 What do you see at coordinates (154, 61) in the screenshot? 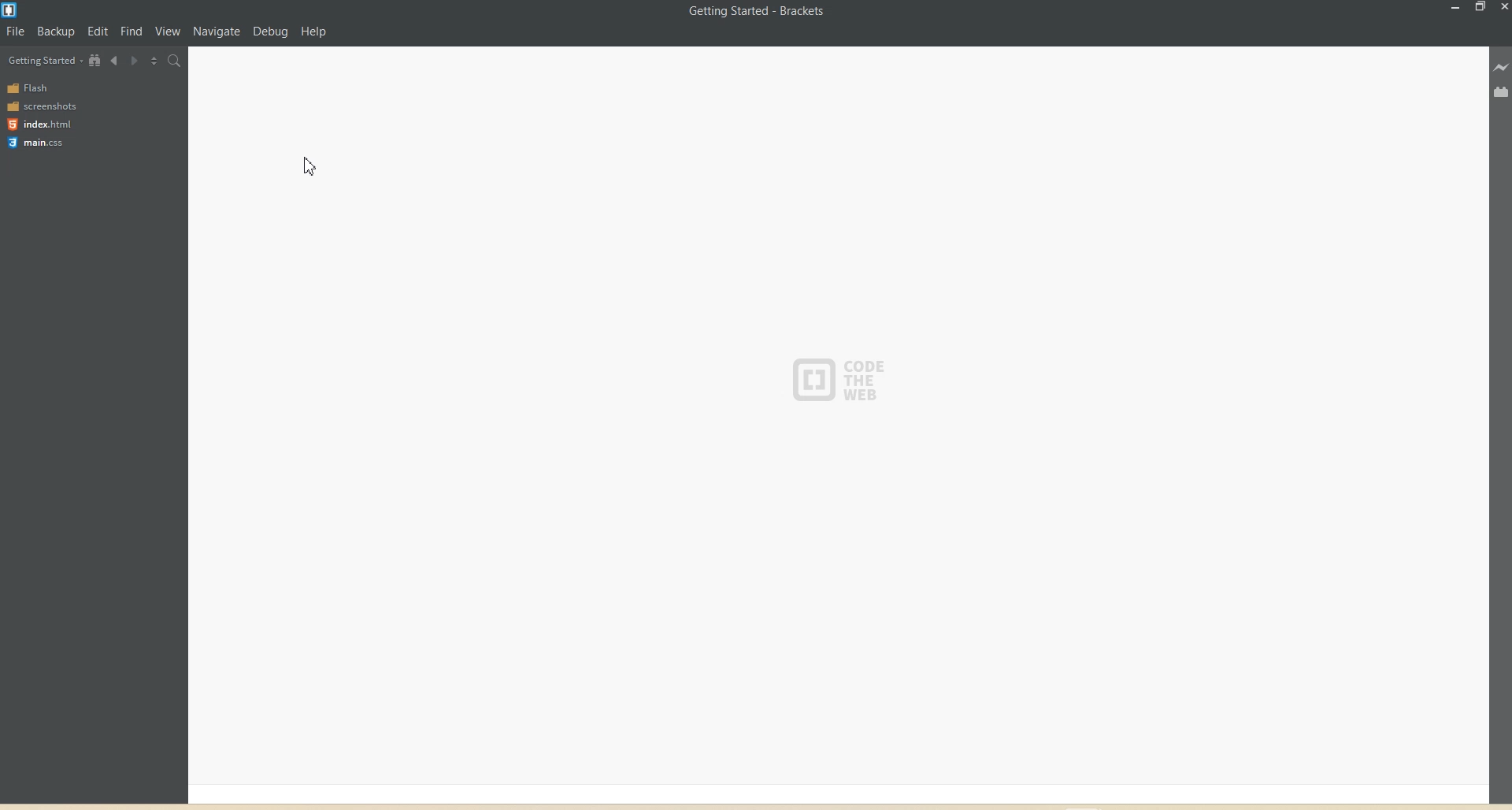
I see `Split The Editor vertically and Horizontally` at bounding box center [154, 61].